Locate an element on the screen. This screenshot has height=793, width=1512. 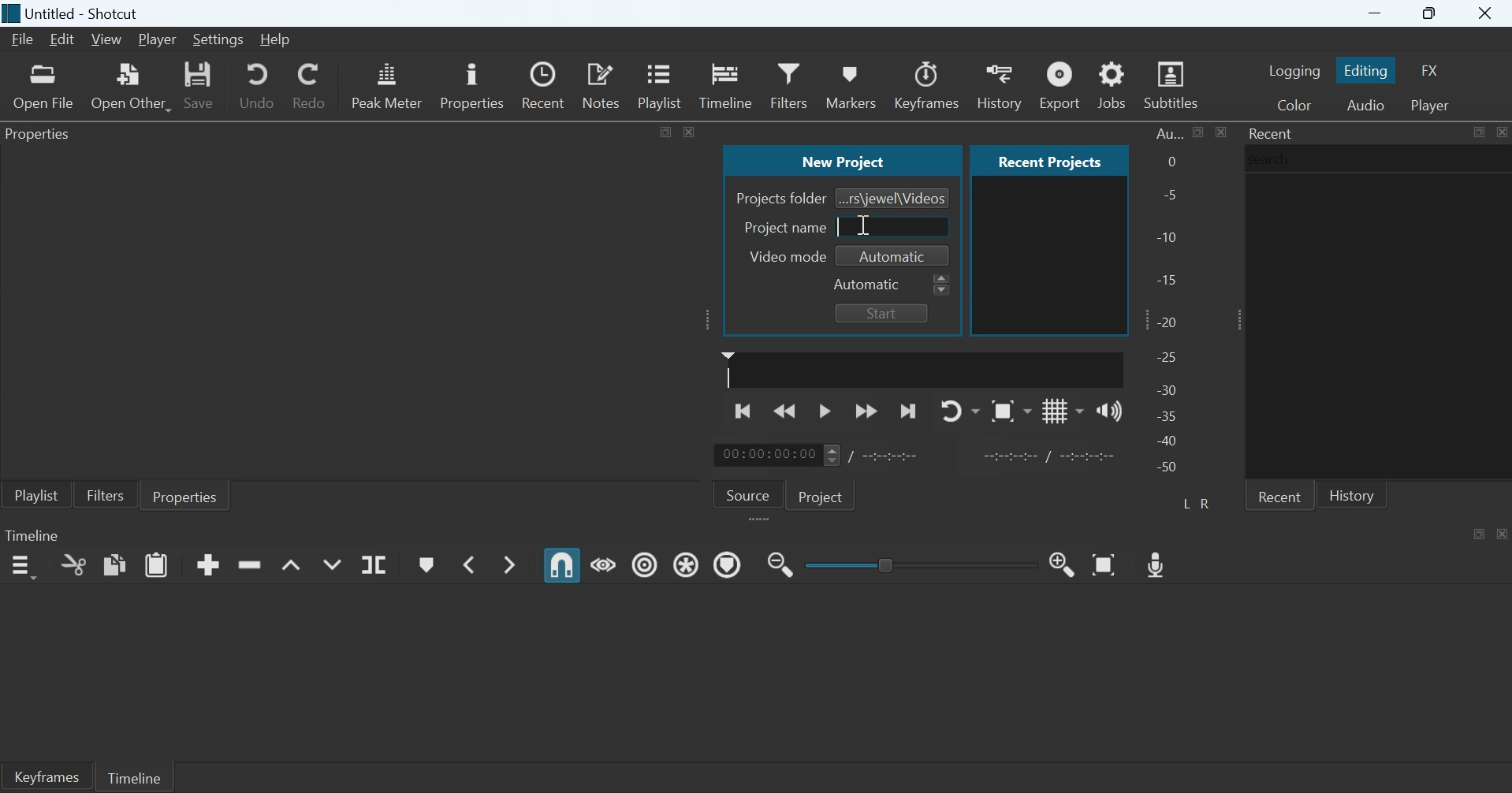
Switch to the Logging layout is located at coordinates (1294, 70).